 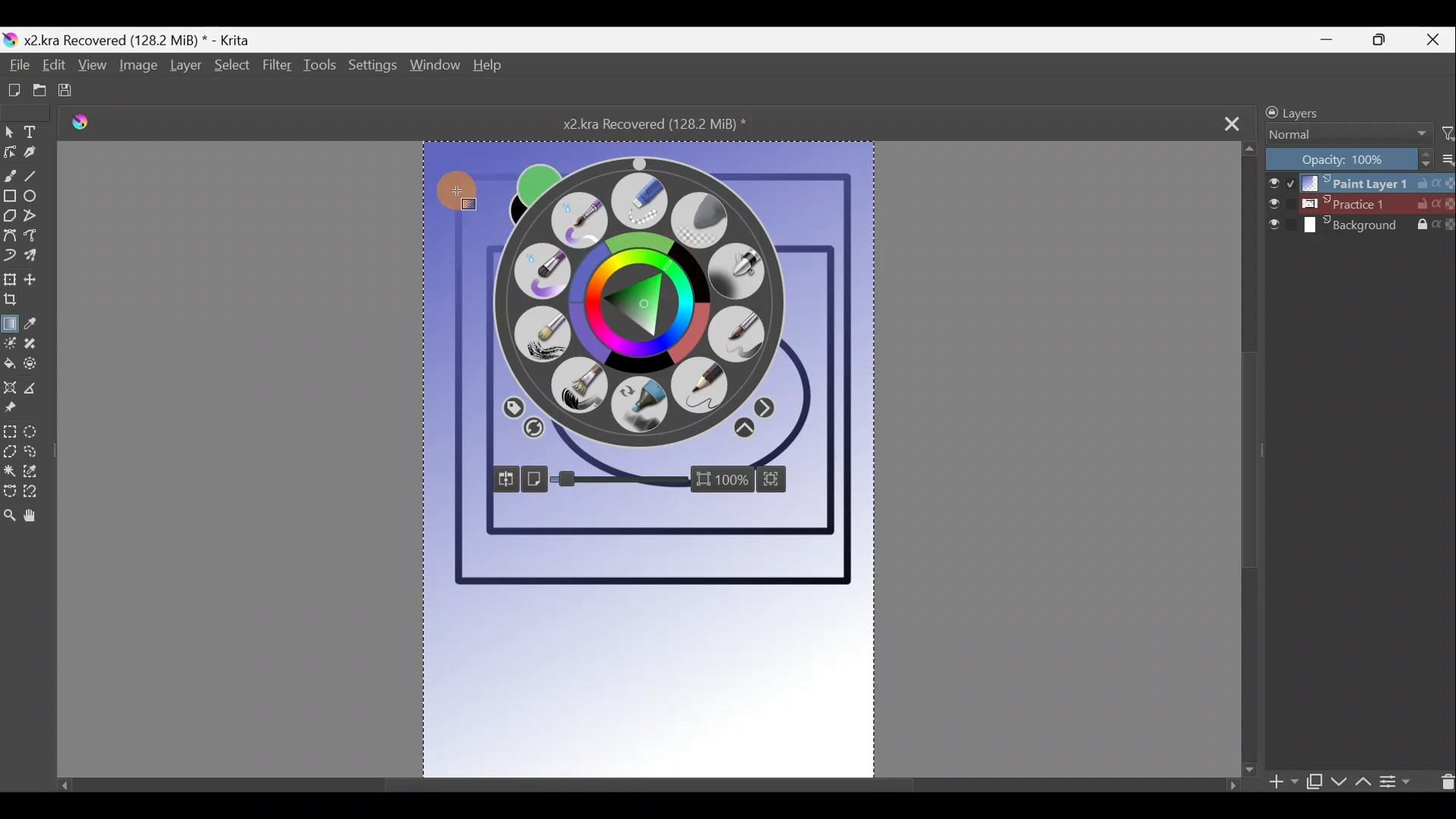 I want to click on Cursor, so click(x=665, y=263).